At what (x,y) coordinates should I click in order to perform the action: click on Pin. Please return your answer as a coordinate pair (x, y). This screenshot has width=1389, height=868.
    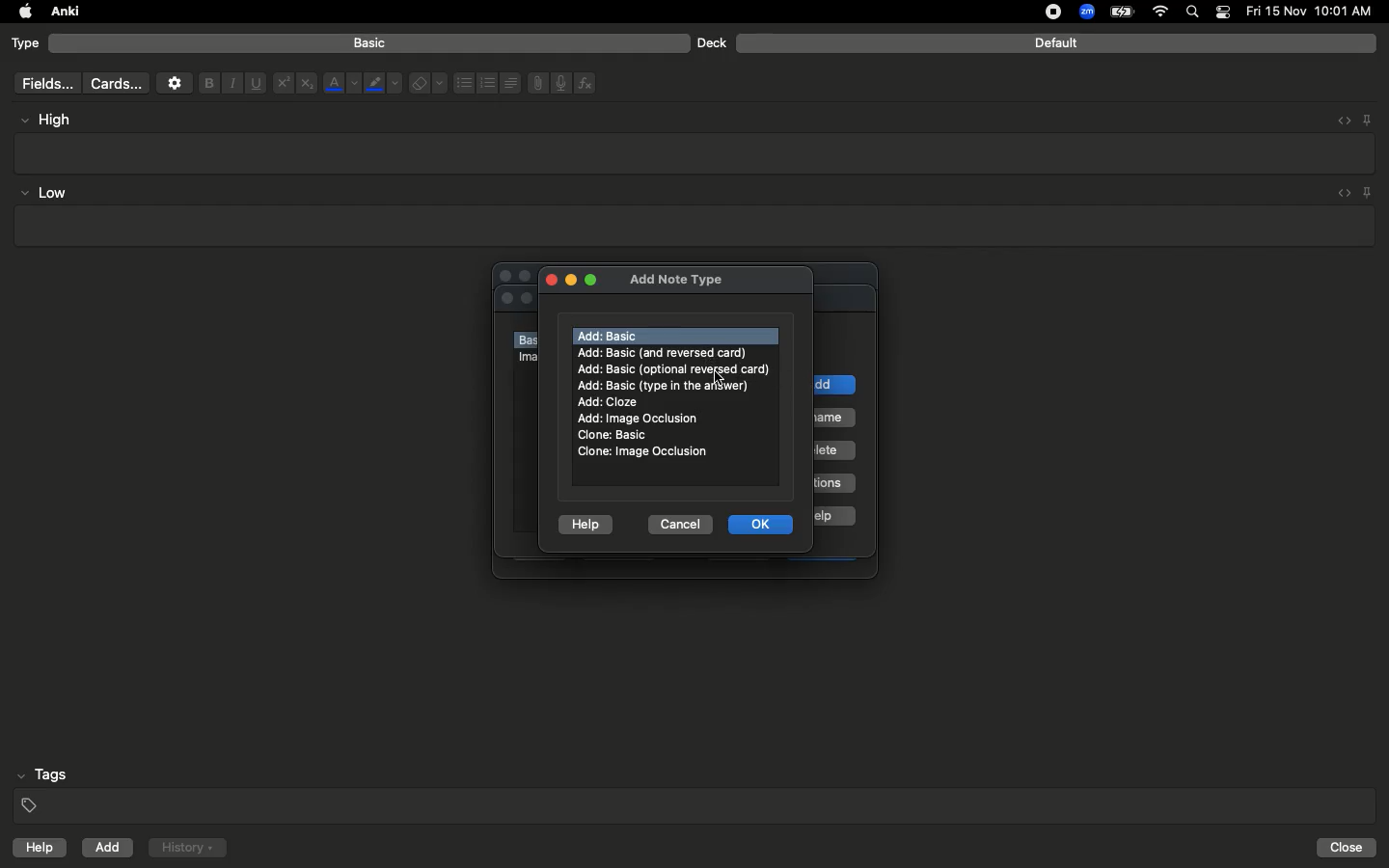
    Looking at the image, I should click on (1367, 119).